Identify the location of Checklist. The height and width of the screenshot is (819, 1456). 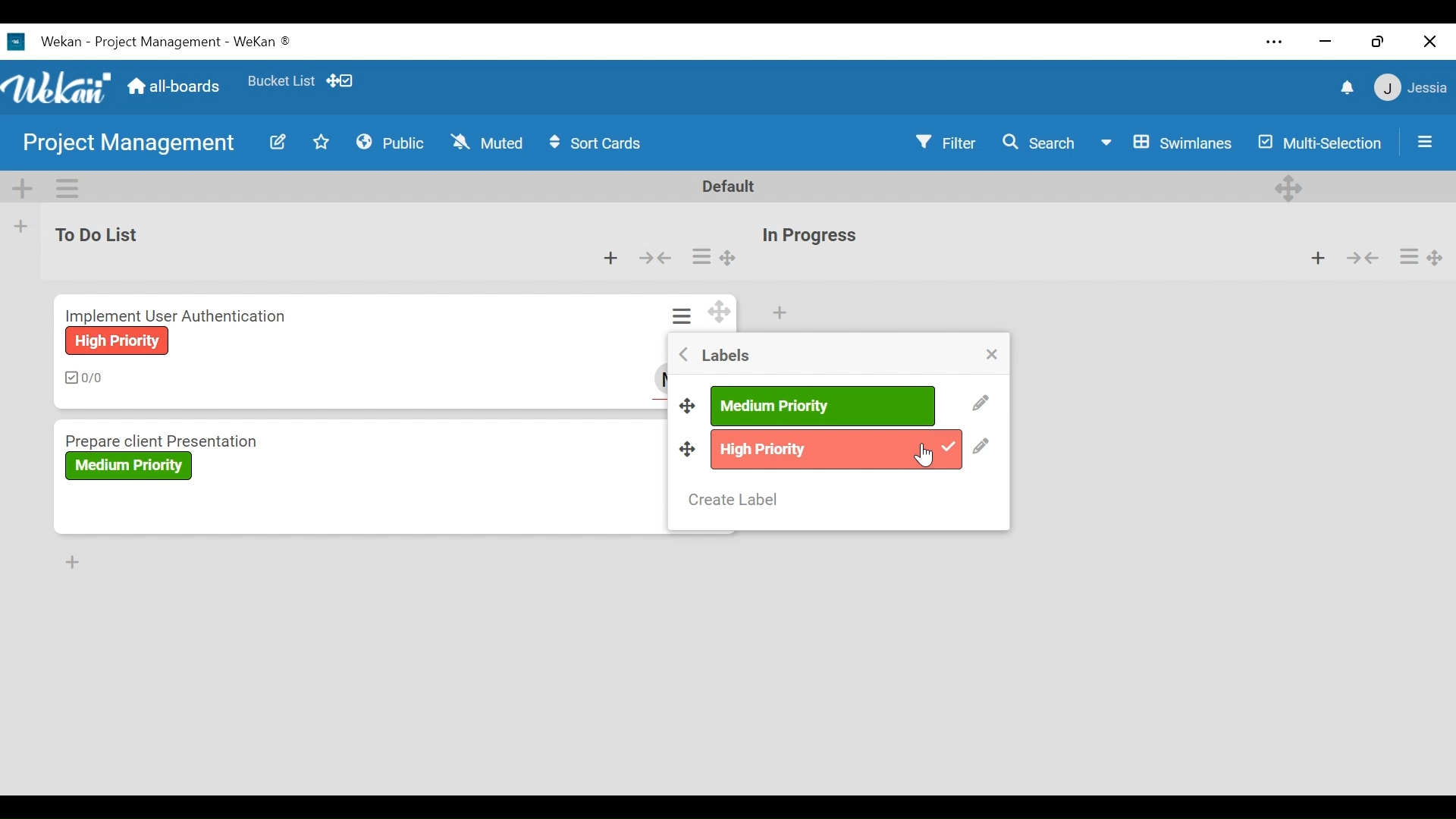
(93, 379).